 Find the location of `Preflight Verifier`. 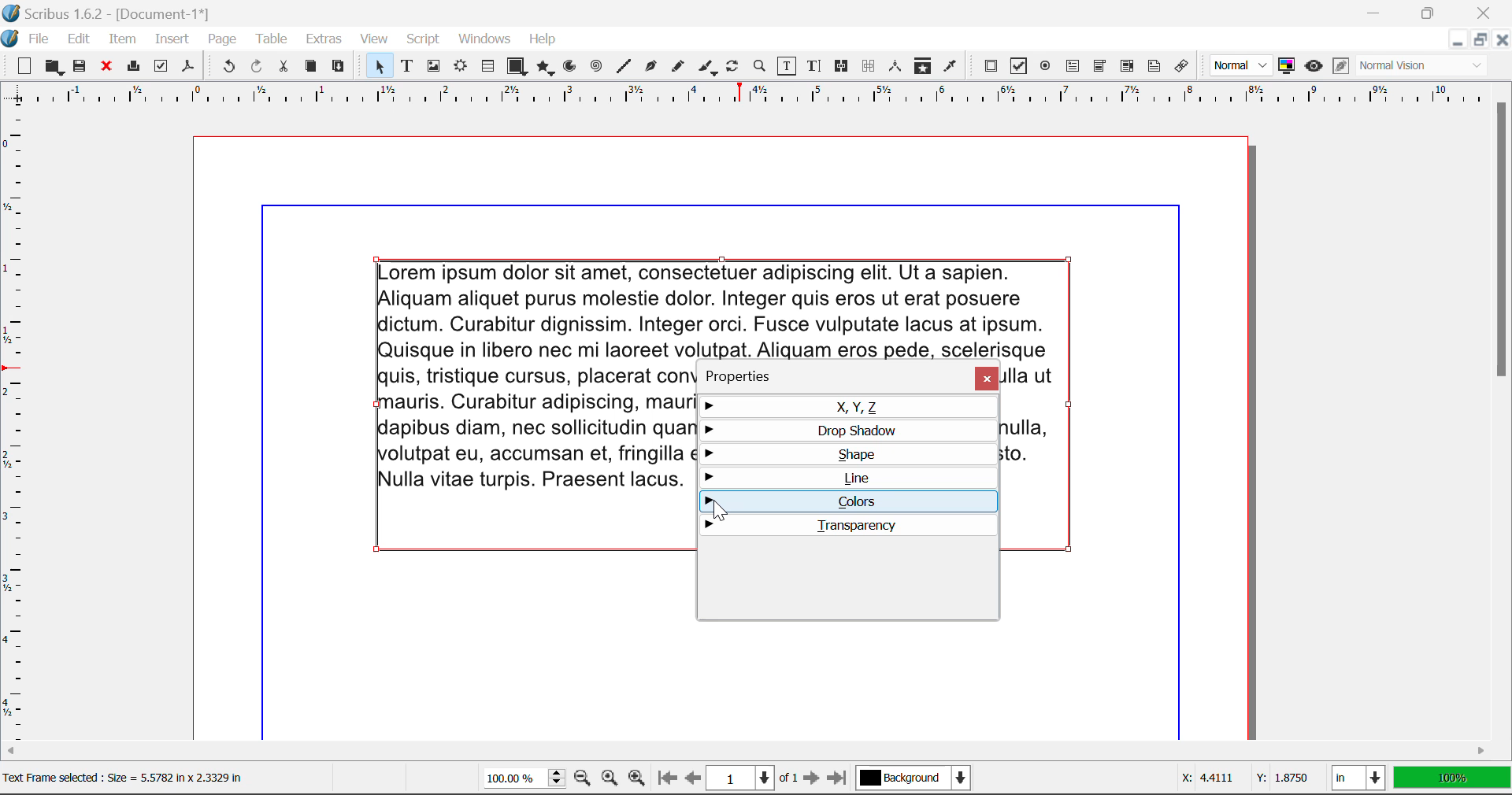

Preflight Verifier is located at coordinates (161, 68).